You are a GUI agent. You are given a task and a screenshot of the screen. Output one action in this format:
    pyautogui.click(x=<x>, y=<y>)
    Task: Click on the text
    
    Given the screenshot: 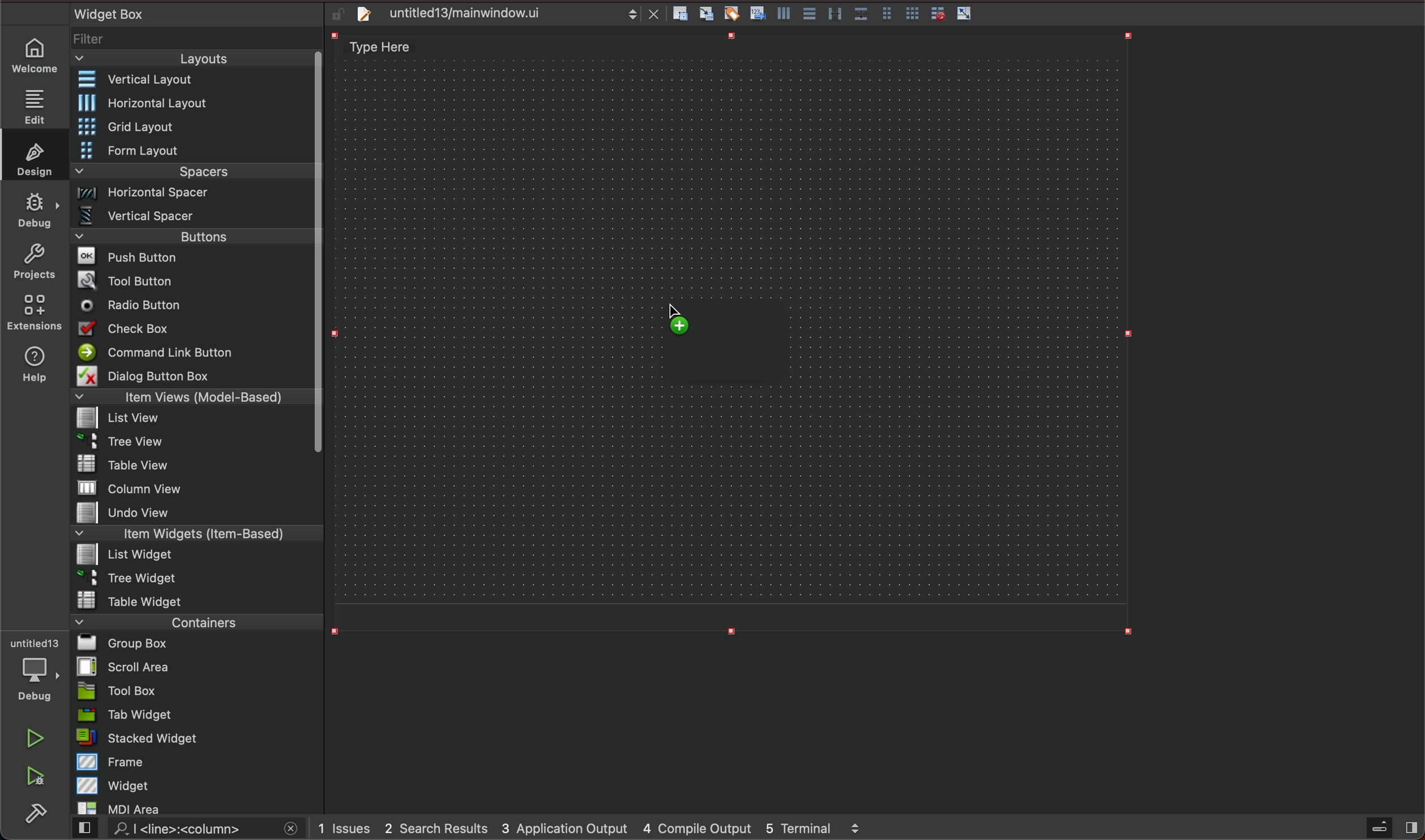 What is the action you would take?
    pyautogui.click(x=387, y=49)
    